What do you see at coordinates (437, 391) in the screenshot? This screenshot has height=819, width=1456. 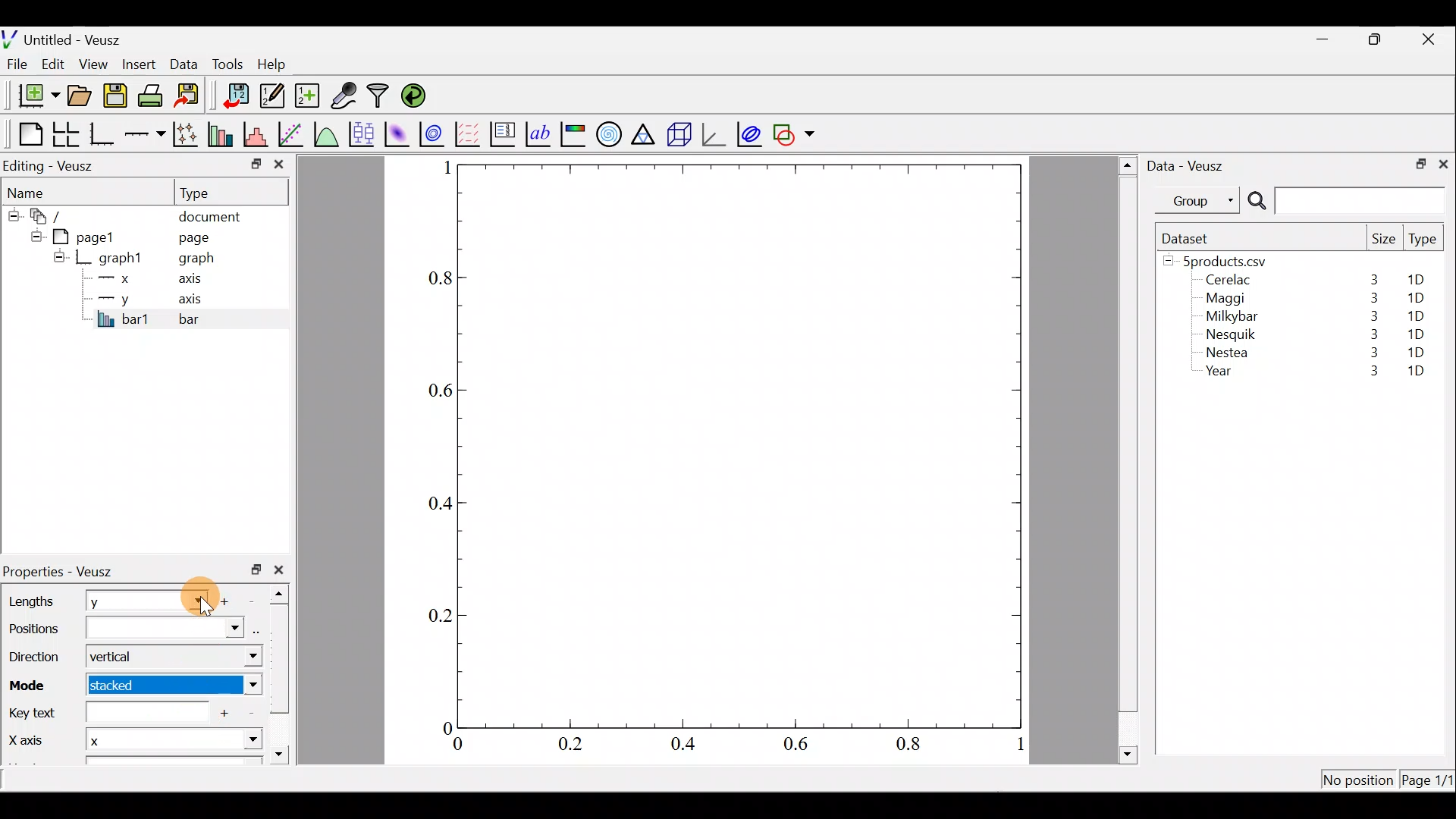 I see `0.6` at bounding box center [437, 391].